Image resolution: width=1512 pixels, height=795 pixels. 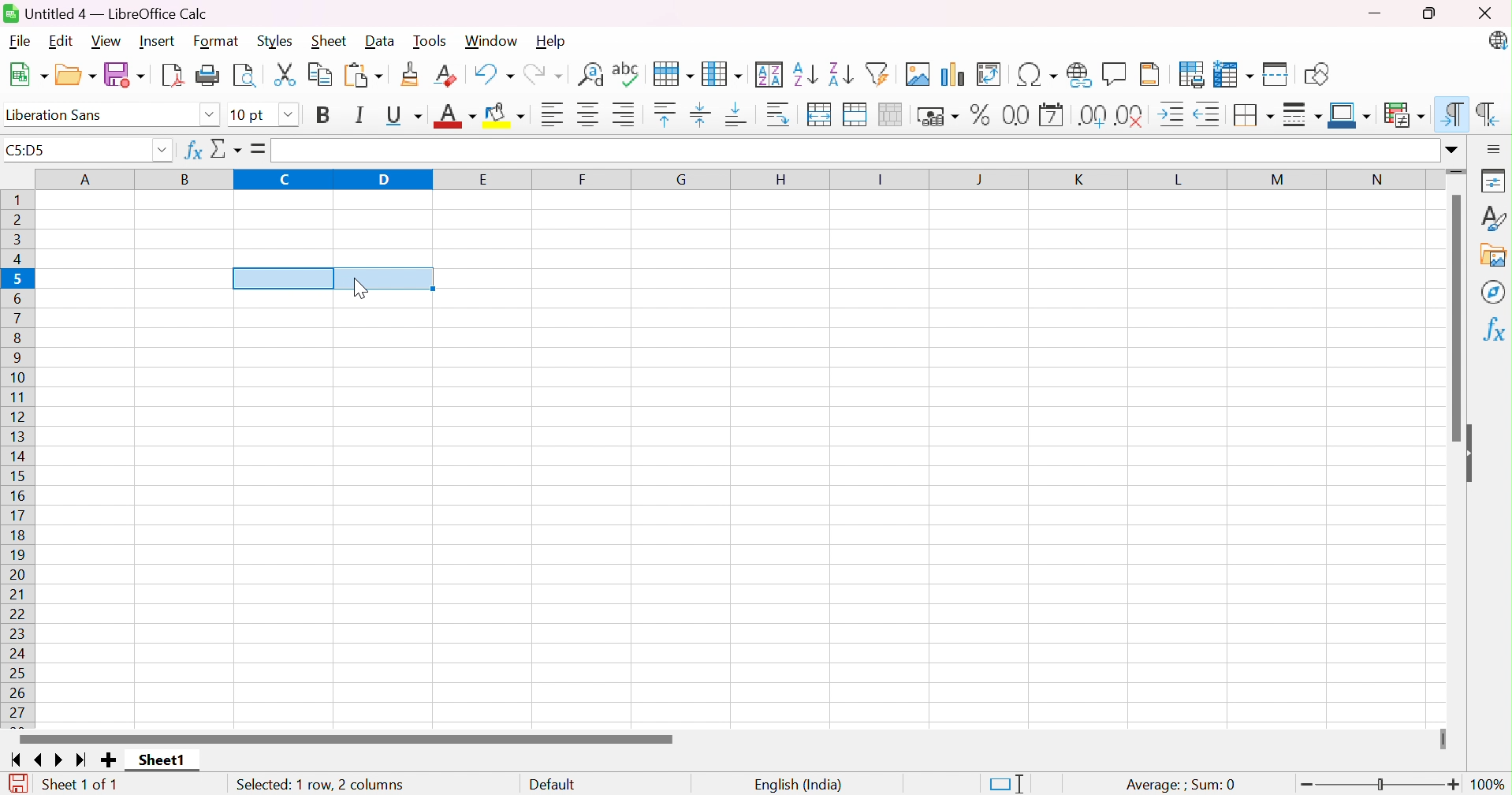 What do you see at coordinates (320, 784) in the screenshot?
I see `Selected: 1 row, 2 columns` at bounding box center [320, 784].